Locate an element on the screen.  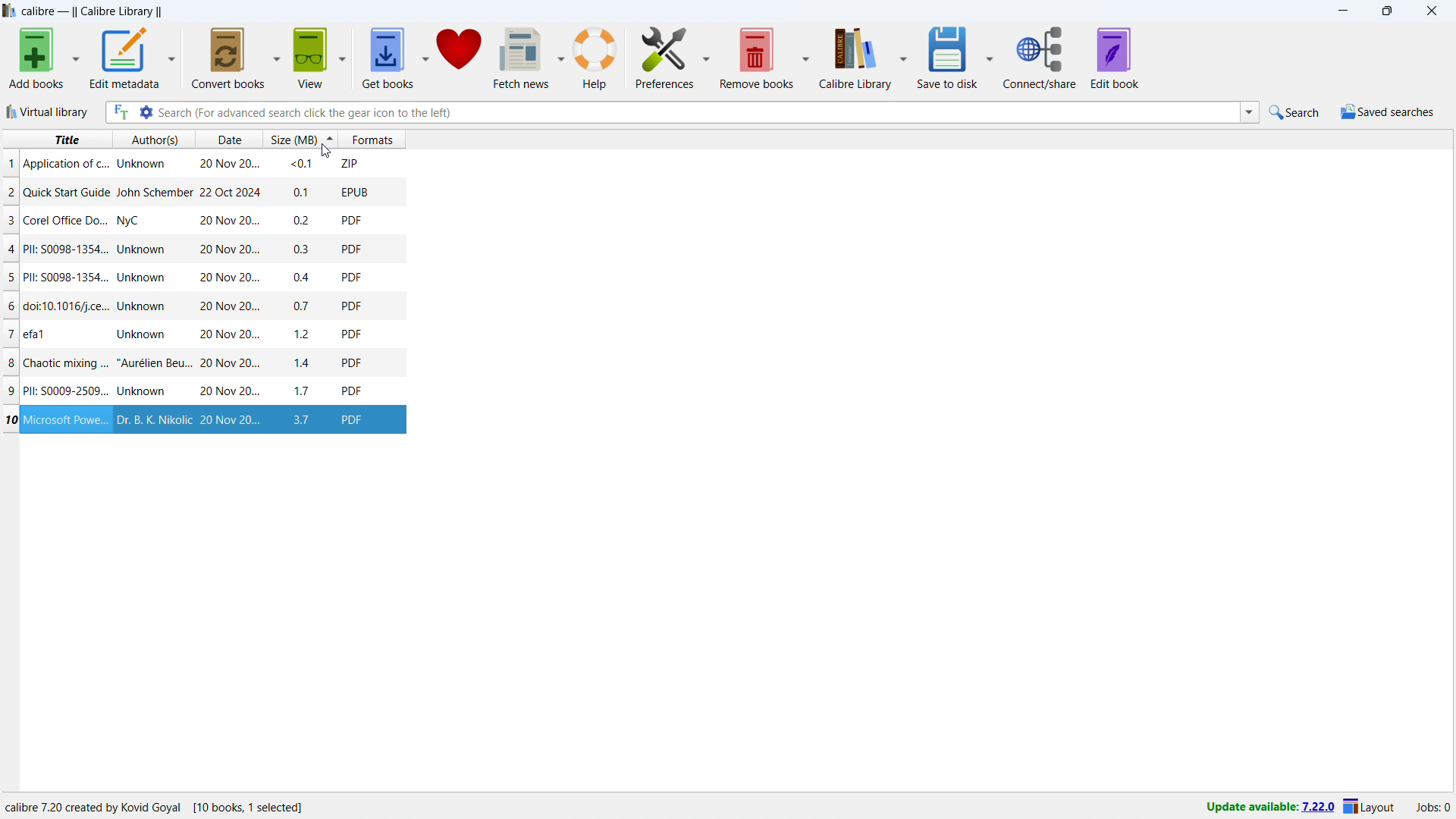
PDF is located at coordinates (352, 277).